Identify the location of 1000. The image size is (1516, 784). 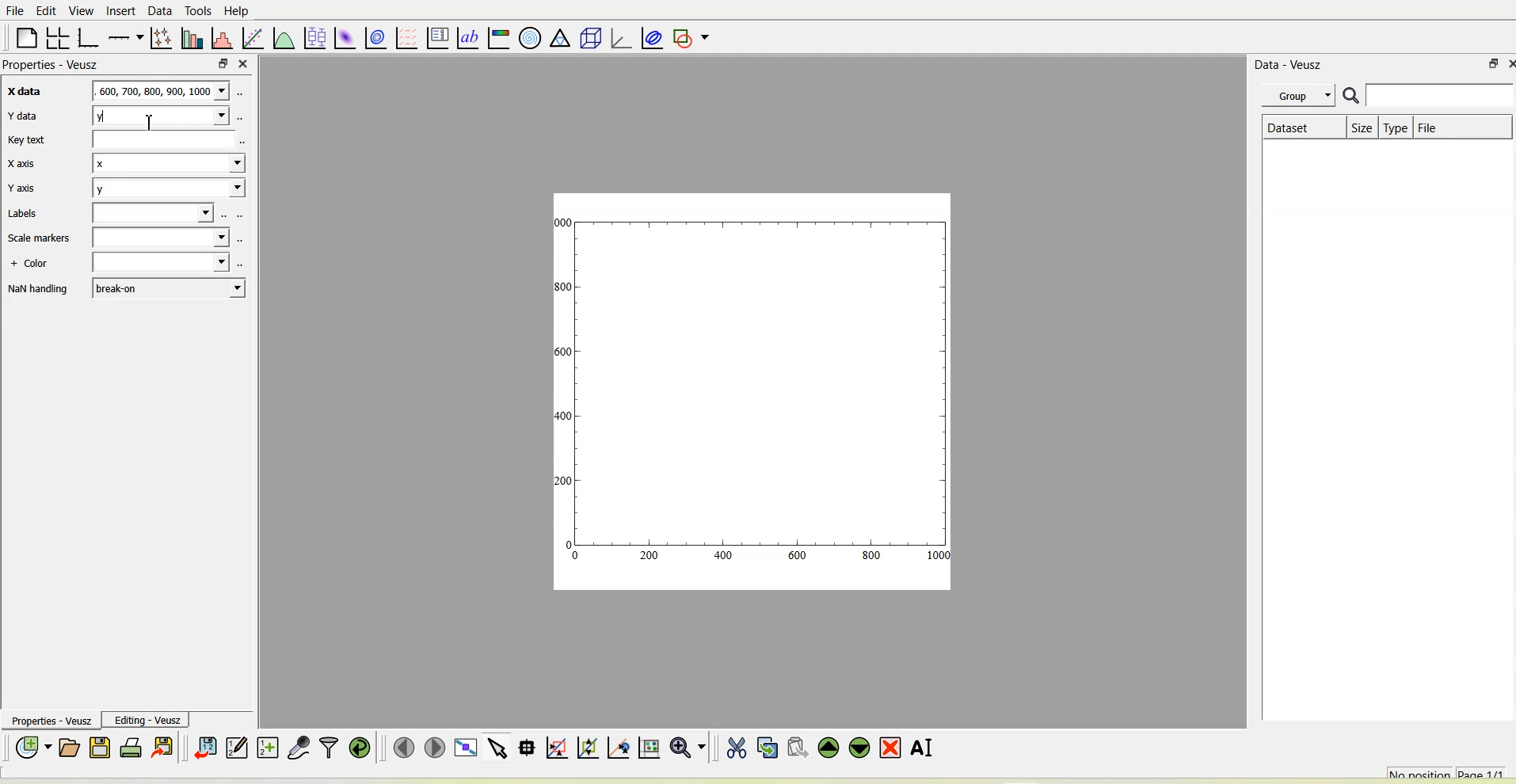
(939, 556).